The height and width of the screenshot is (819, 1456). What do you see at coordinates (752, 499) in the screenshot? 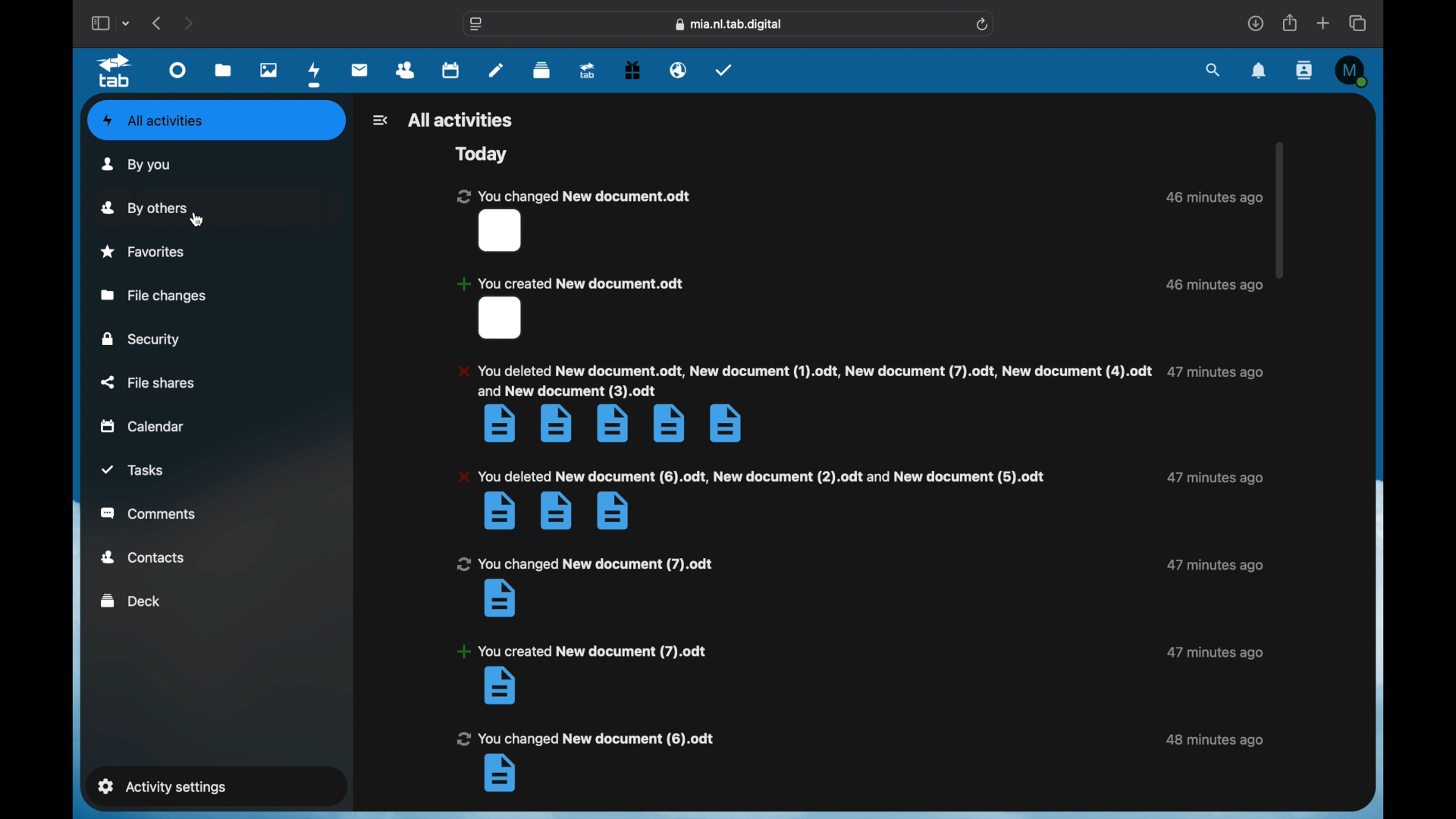
I see `notification` at bounding box center [752, 499].